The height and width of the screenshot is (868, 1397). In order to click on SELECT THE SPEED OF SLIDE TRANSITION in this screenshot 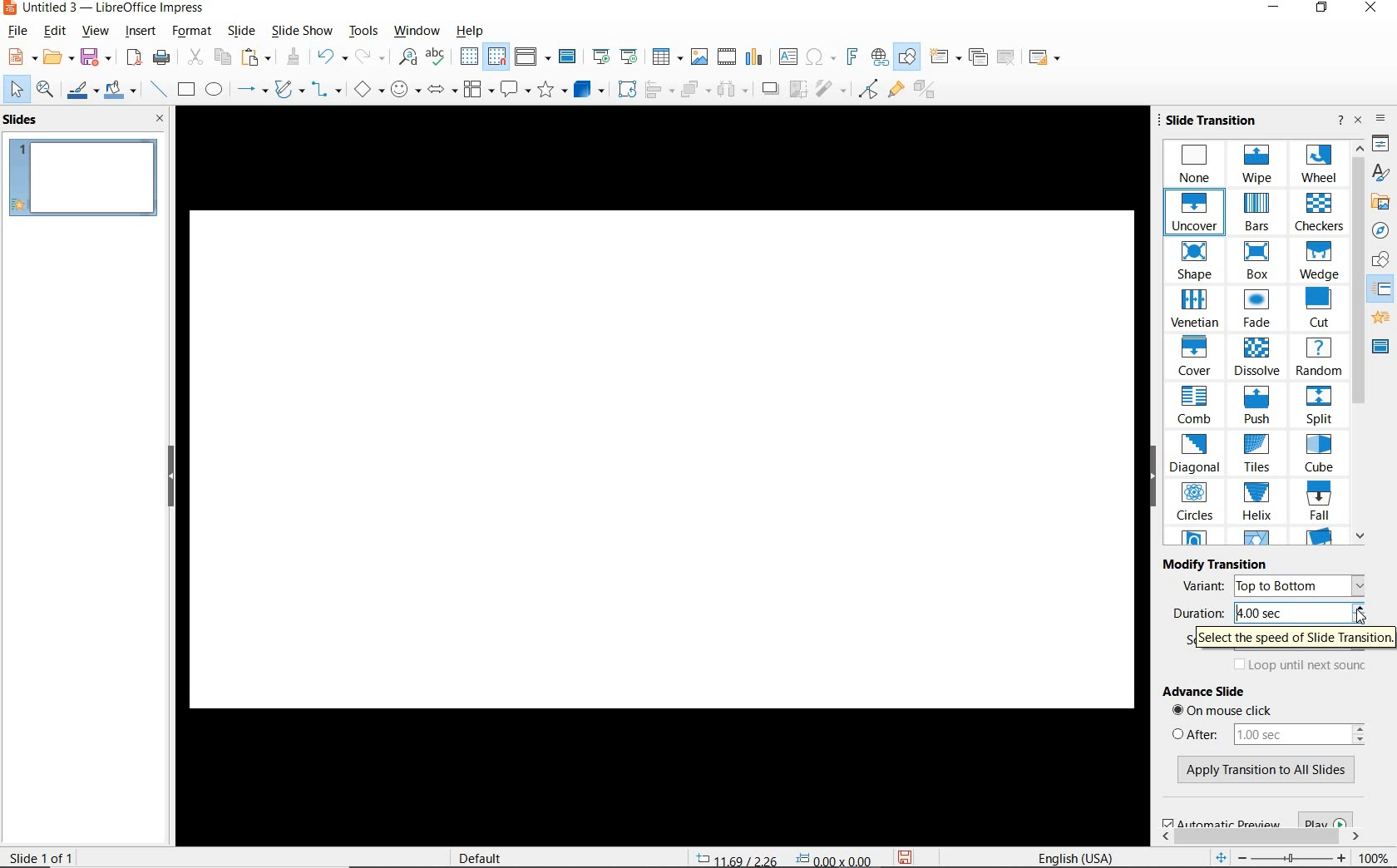, I will do `click(1295, 640)`.